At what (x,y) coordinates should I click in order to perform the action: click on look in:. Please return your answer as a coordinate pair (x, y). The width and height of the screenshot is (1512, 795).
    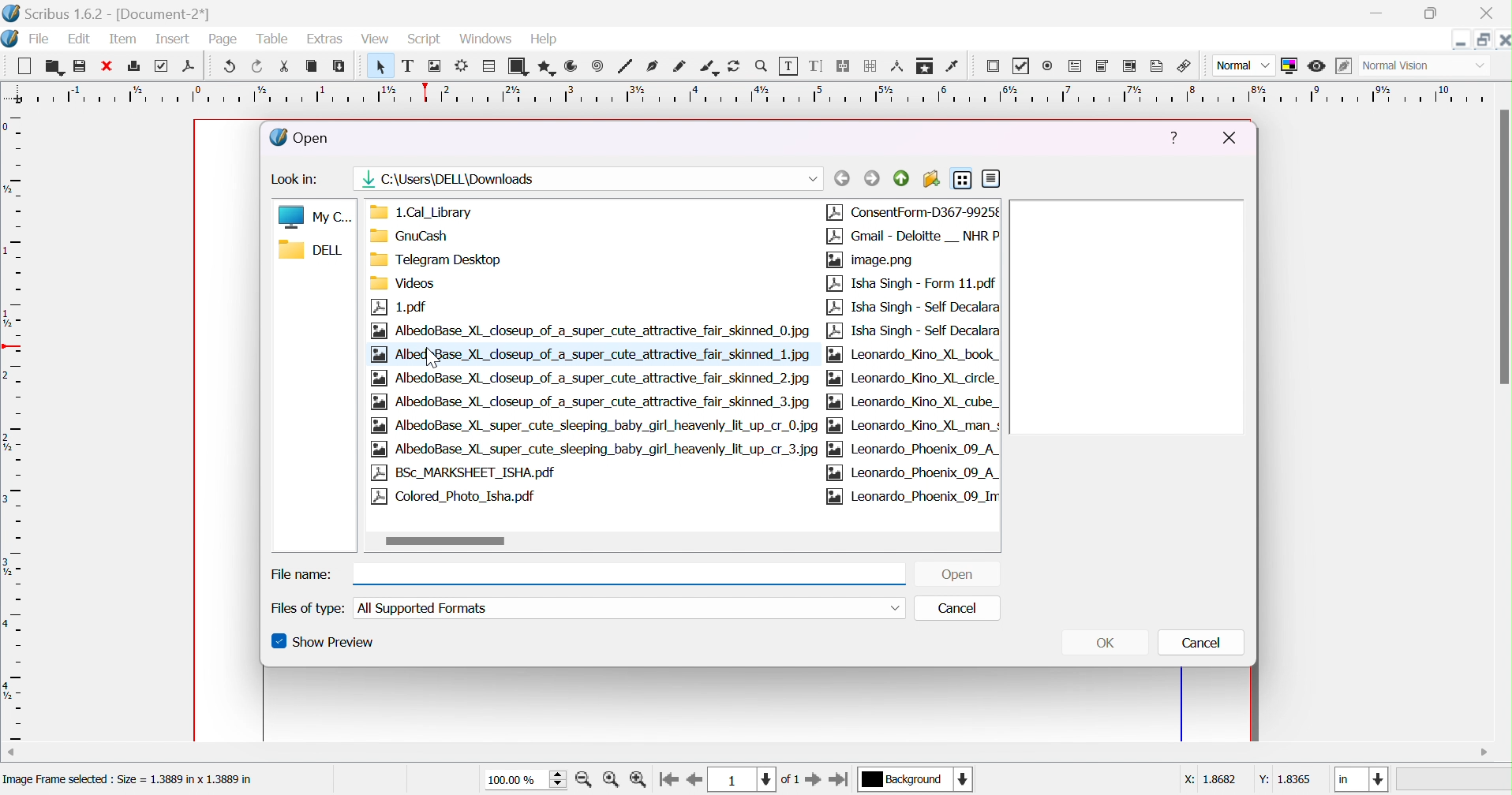
    Looking at the image, I should click on (296, 179).